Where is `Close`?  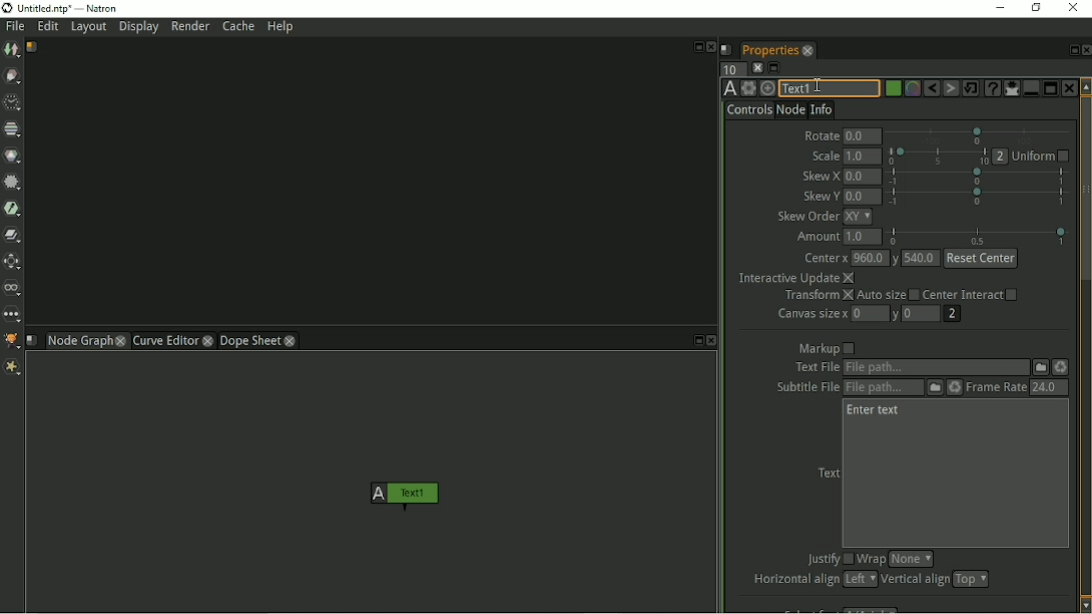 Close is located at coordinates (711, 47).